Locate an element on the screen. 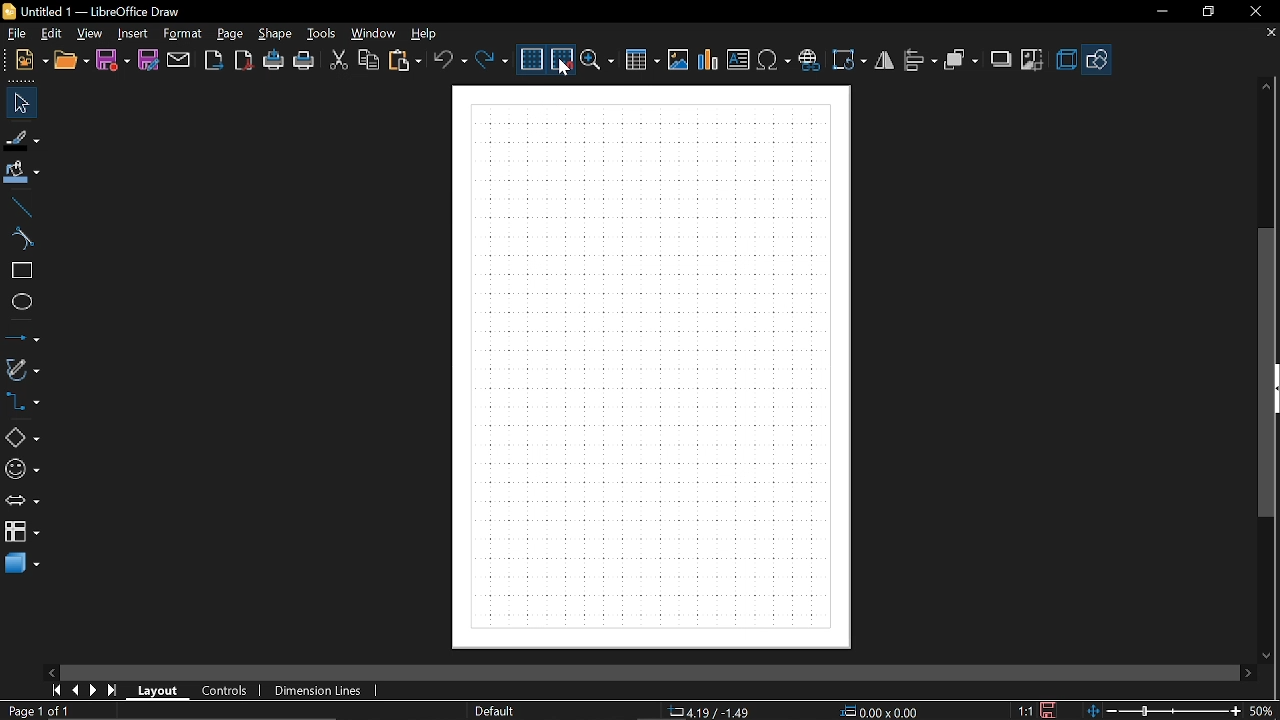 The height and width of the screenshot is (720, 1280). close is located at coordinates (1253, 12).